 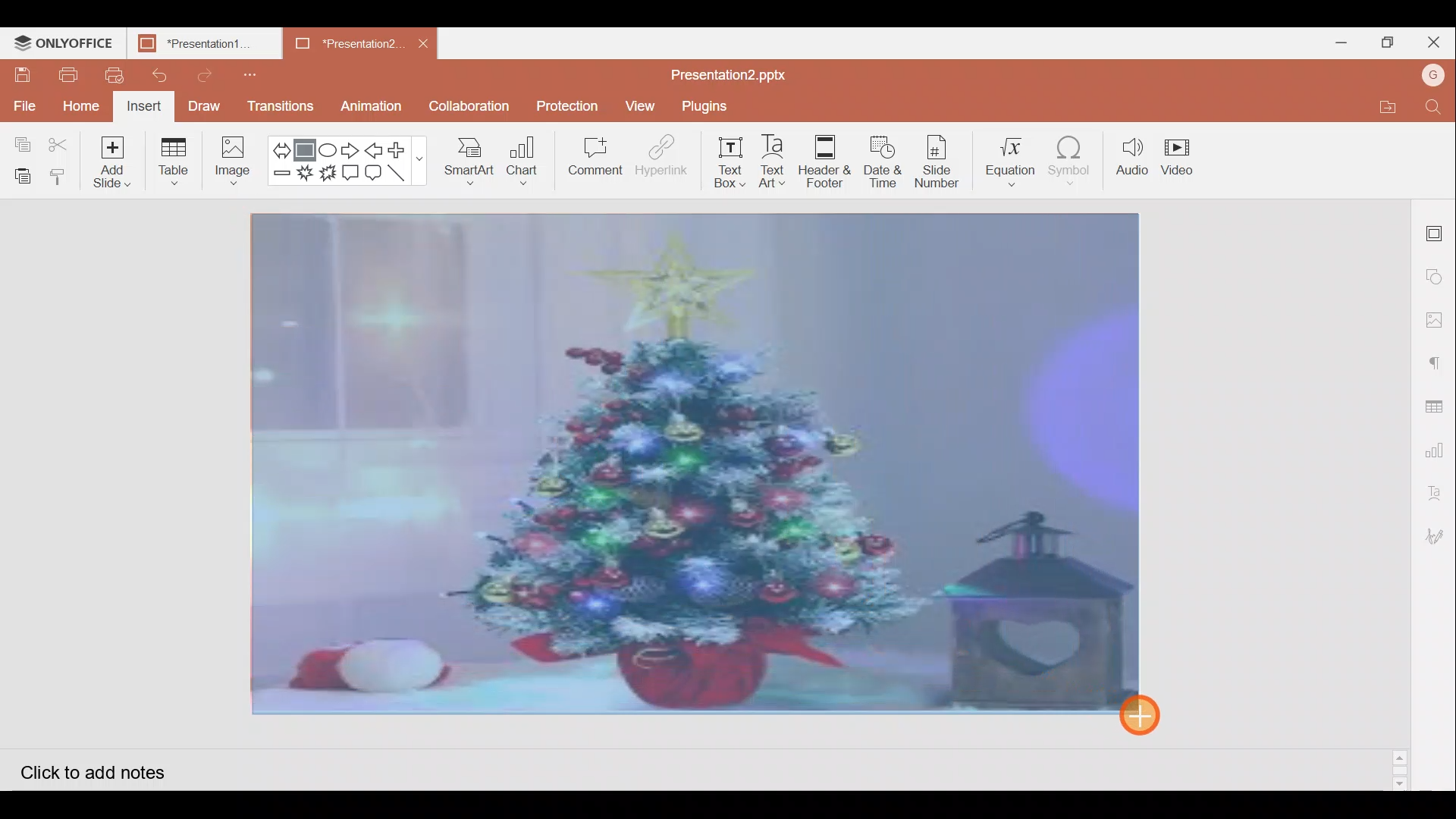 What do you see at coordinates (563, 105) in the screenshot?
I see `Protection` at bounding box center [563, 105].